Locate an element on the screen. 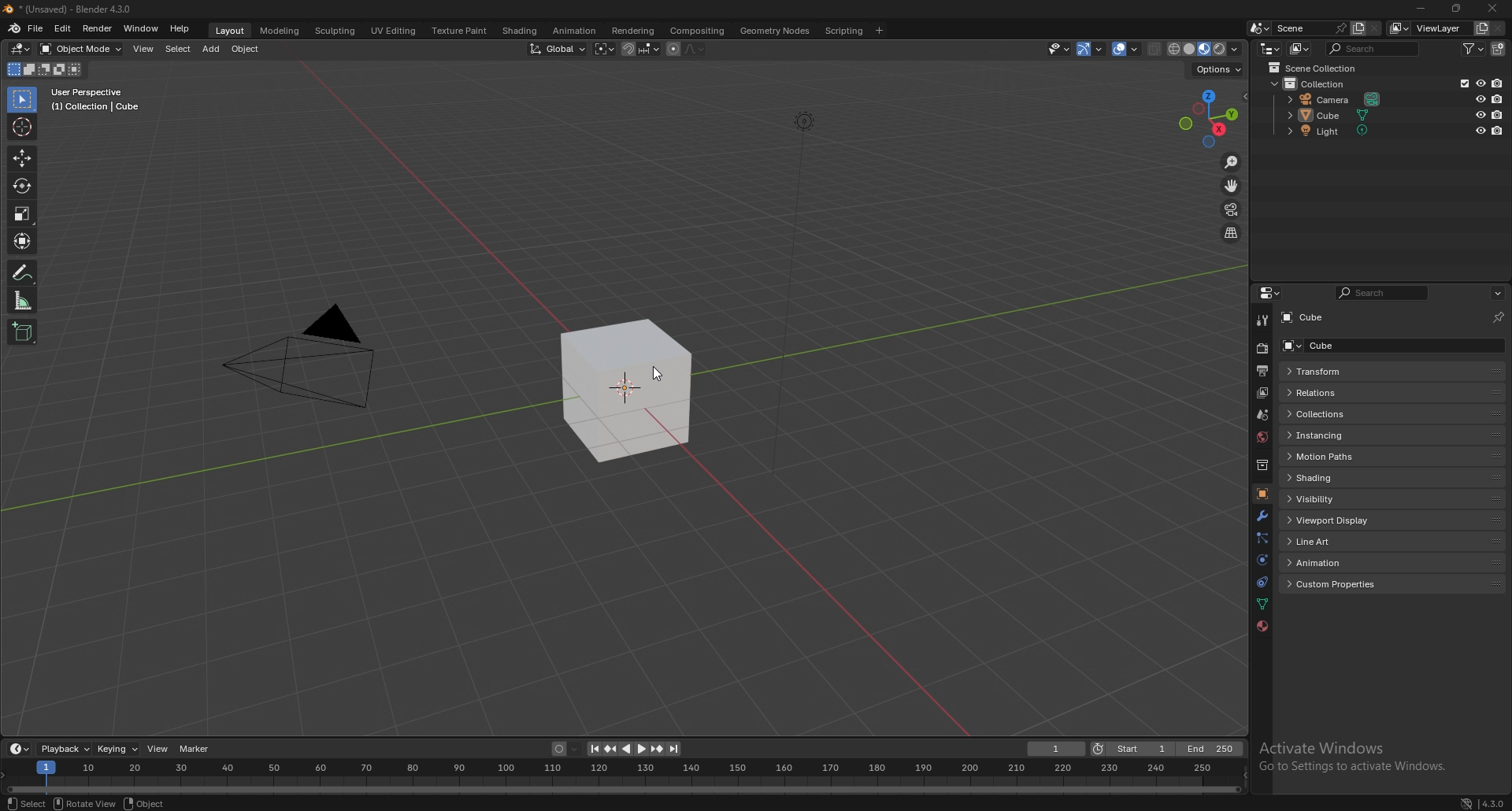  playback is located at coordinates (67, 749).